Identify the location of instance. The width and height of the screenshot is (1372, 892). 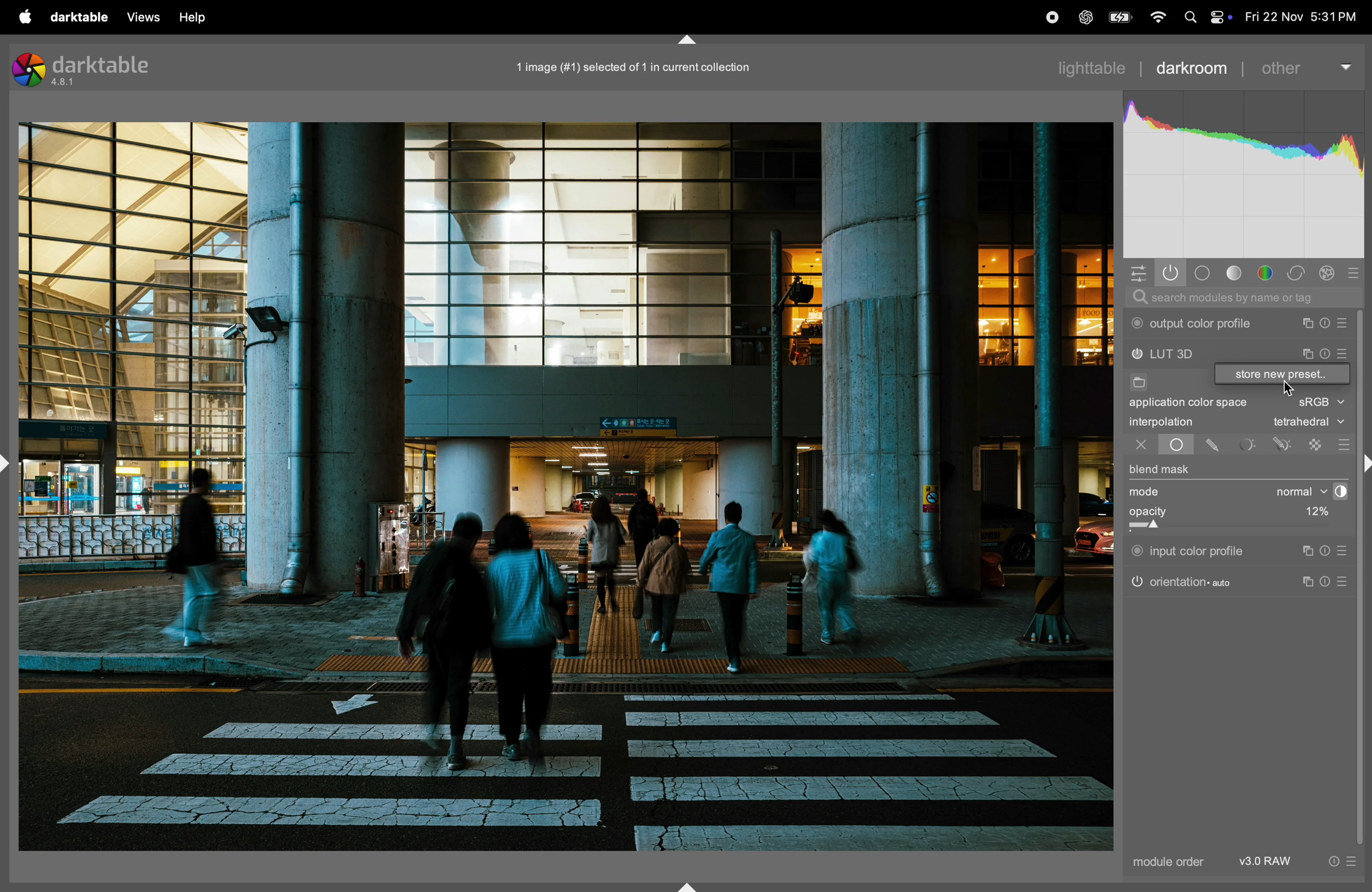
(1310, 583).